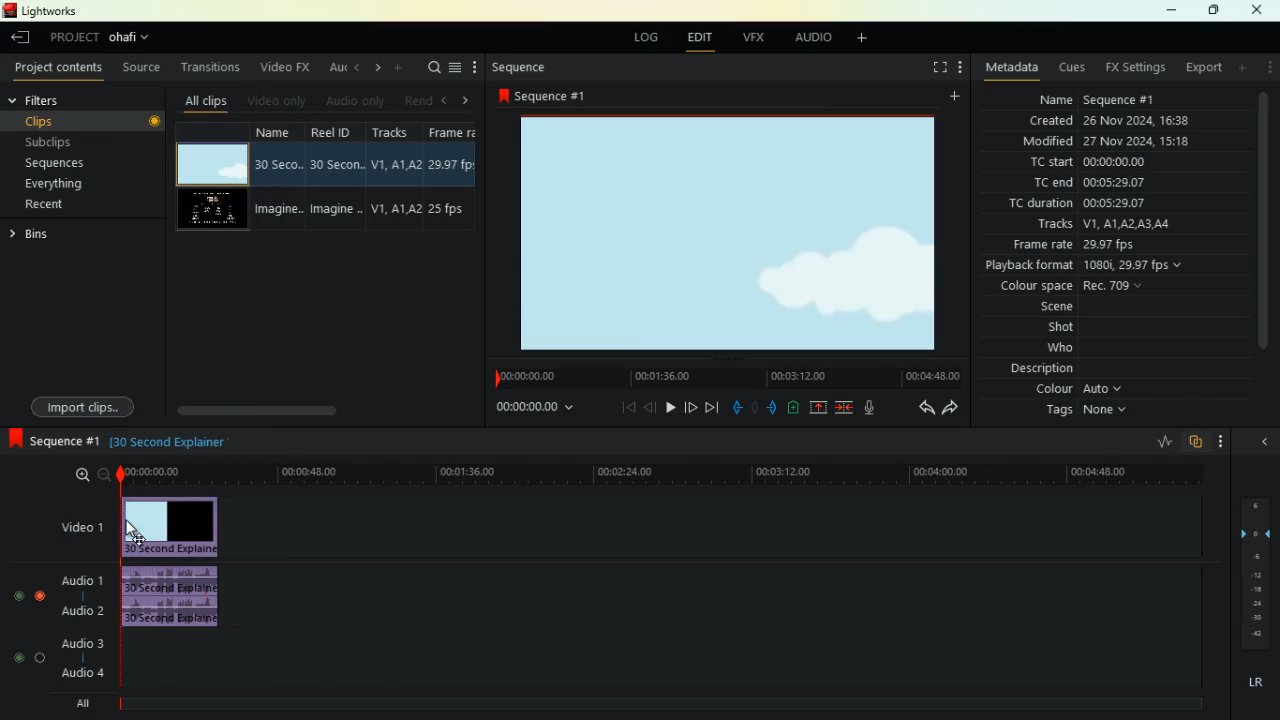 The image size is (1280, 720). What do you see at coordinates (1261, 9) in the screenshot?
I see `close` at bounding box center [1261, 9].